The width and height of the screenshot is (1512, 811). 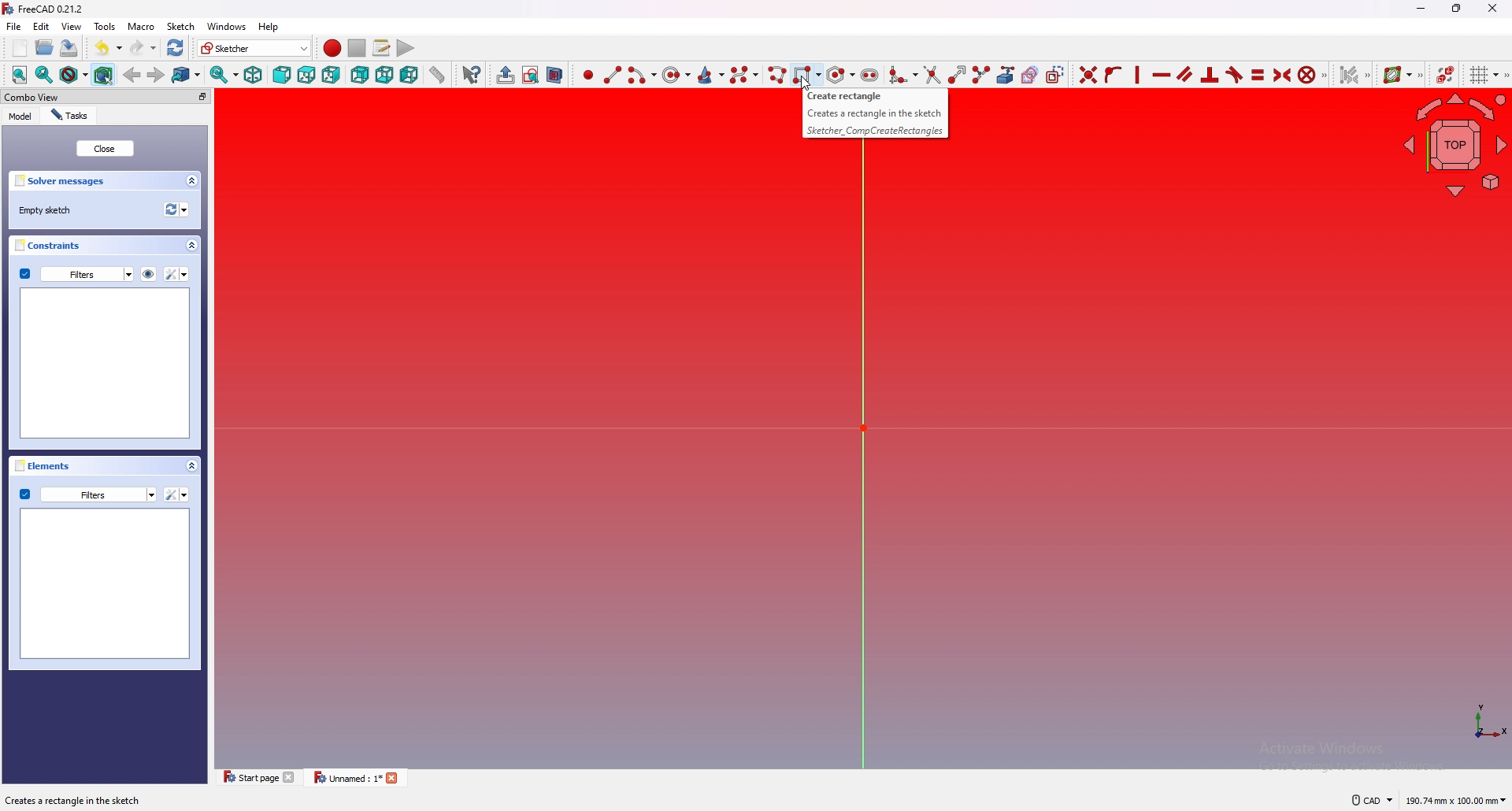 What do you see at coordinates (191, 245) in the screenshot?
I see `collapse` at bounding box center [191, 245].